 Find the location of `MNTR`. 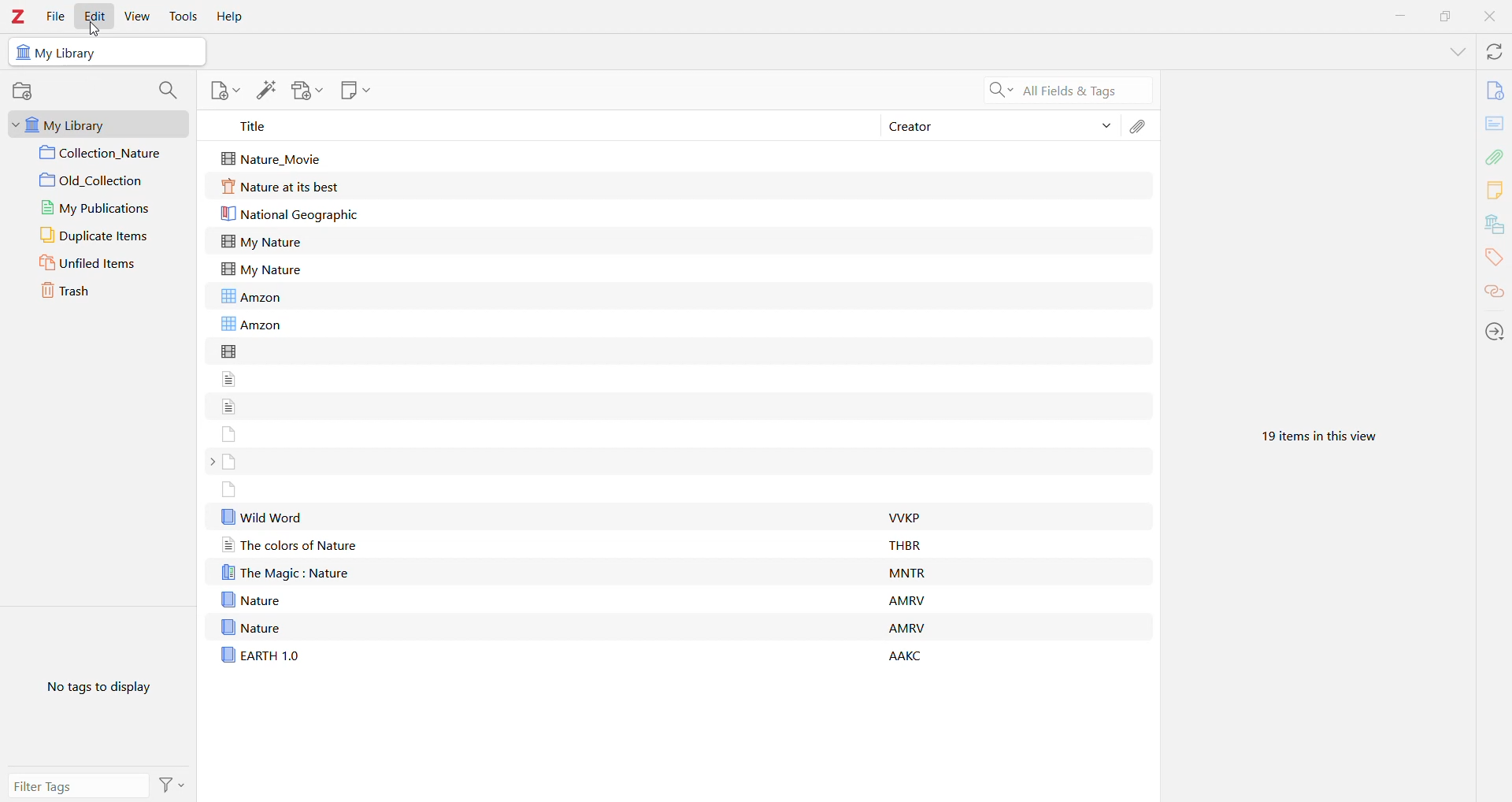

MNTR is located at coordinates (910, 572).